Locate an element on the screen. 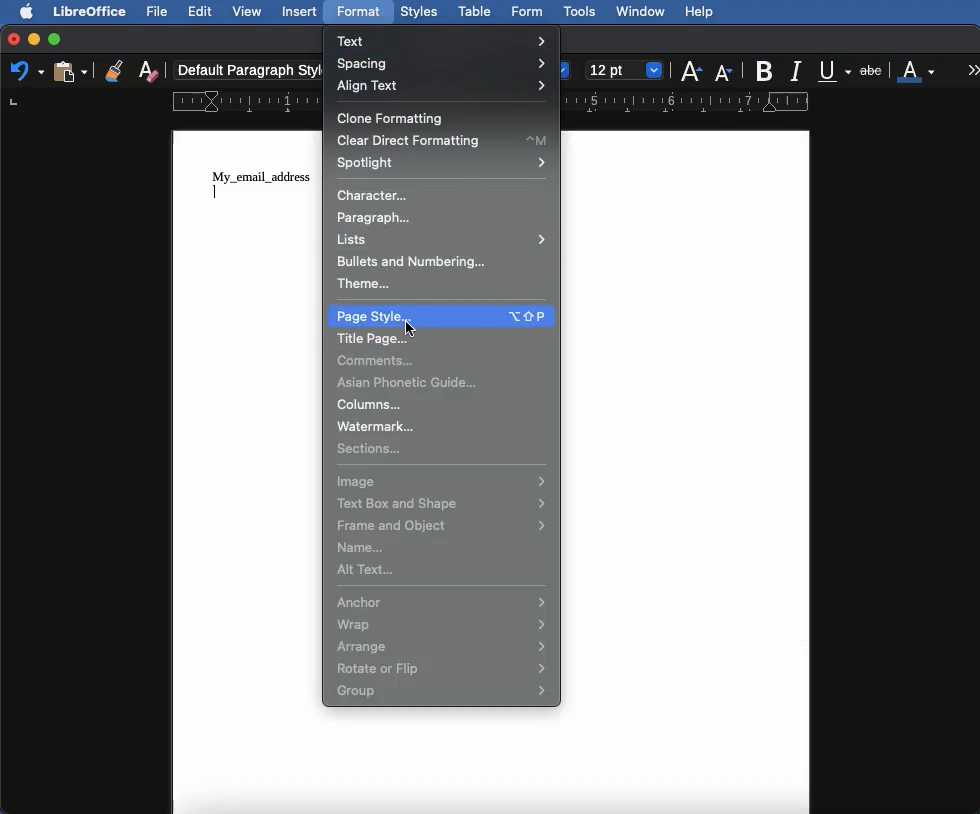  Italics is located at coordinates (799, 69).